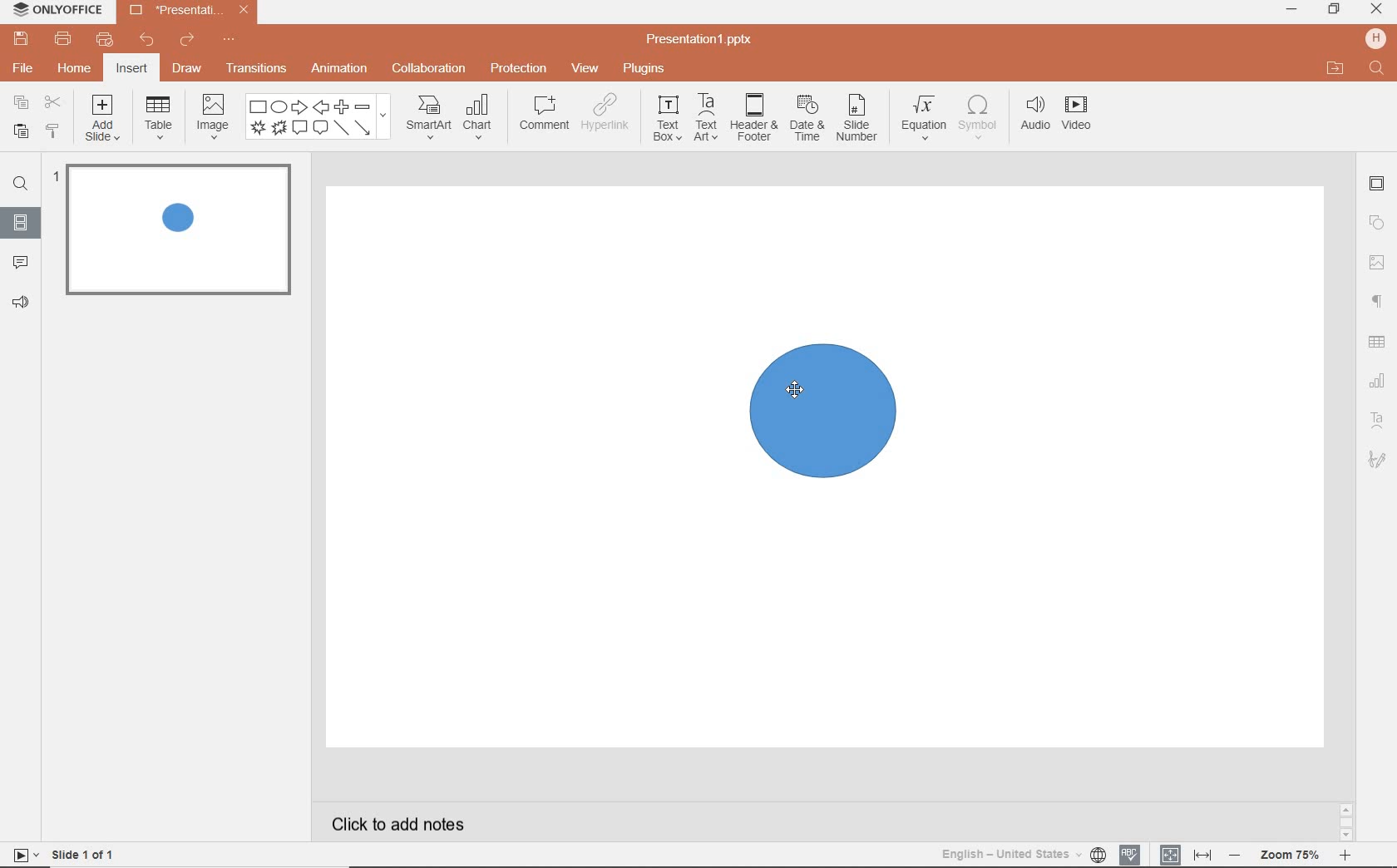 The width and height of the screenshot is (1397, 868). What do you see at coordinates (256, 67) in the screenshot?
I see `transitions` at bounding box center [256, 67].